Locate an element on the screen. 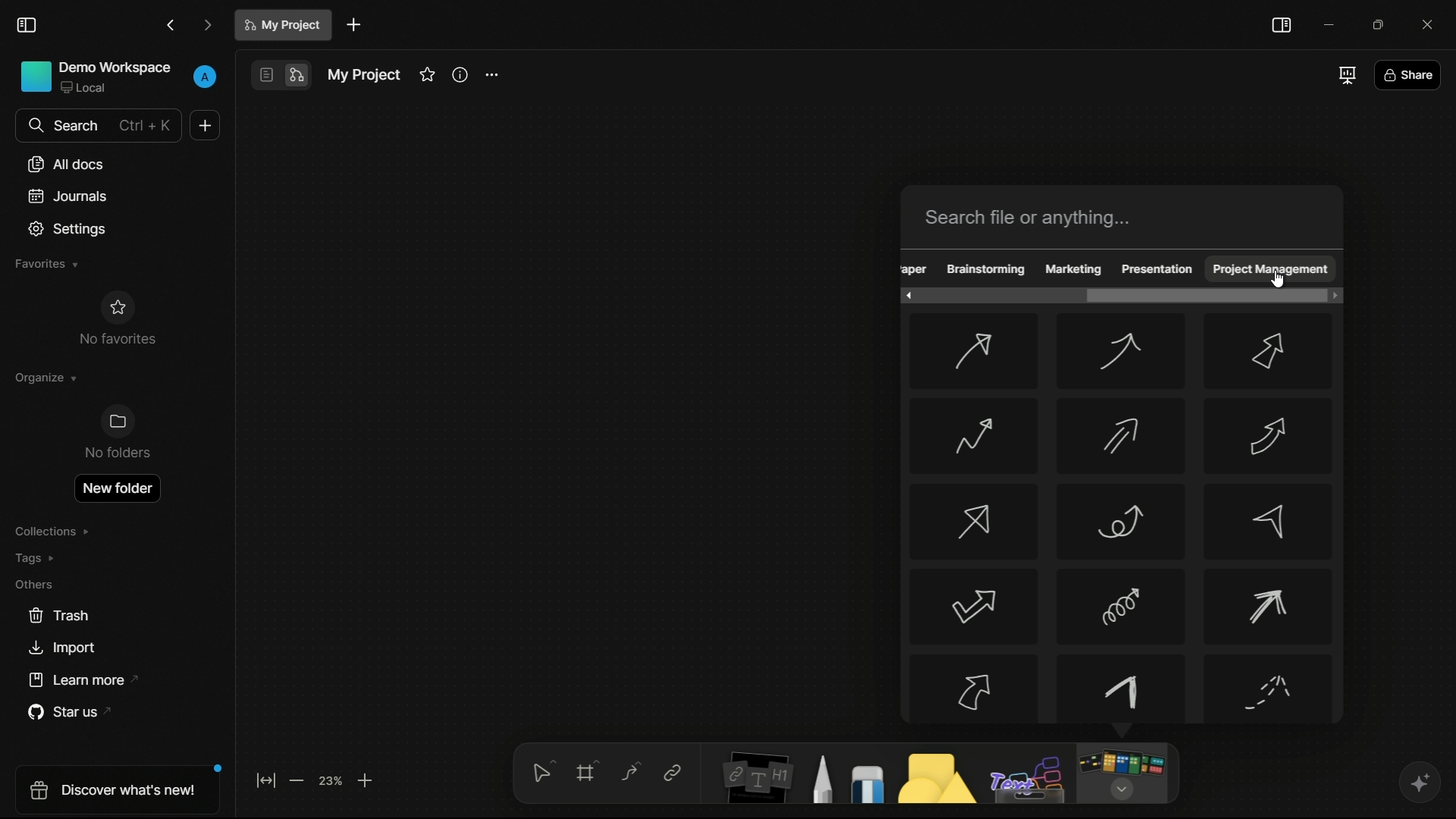 This screenshot has width=1456, height=819. arrow-5 is located at coordinates (1119, 437).